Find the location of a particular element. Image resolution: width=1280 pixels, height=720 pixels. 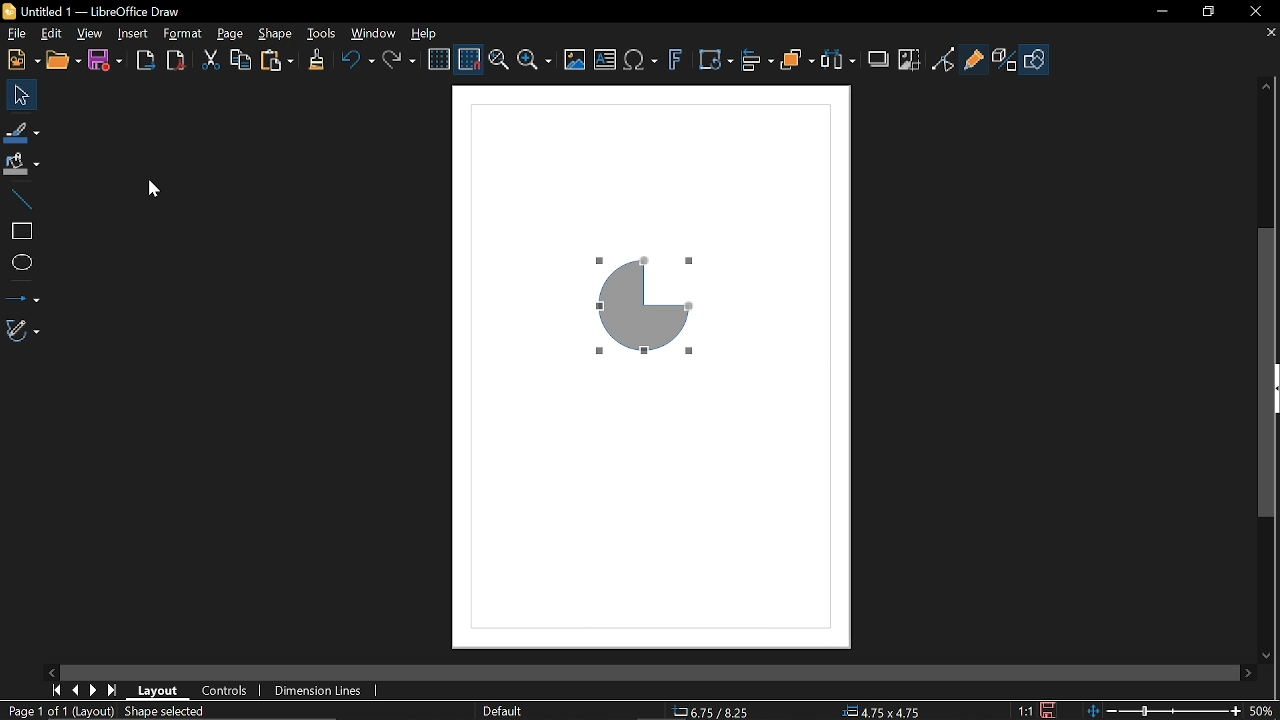

Lines and arrows is located at coordinates (21, 298).